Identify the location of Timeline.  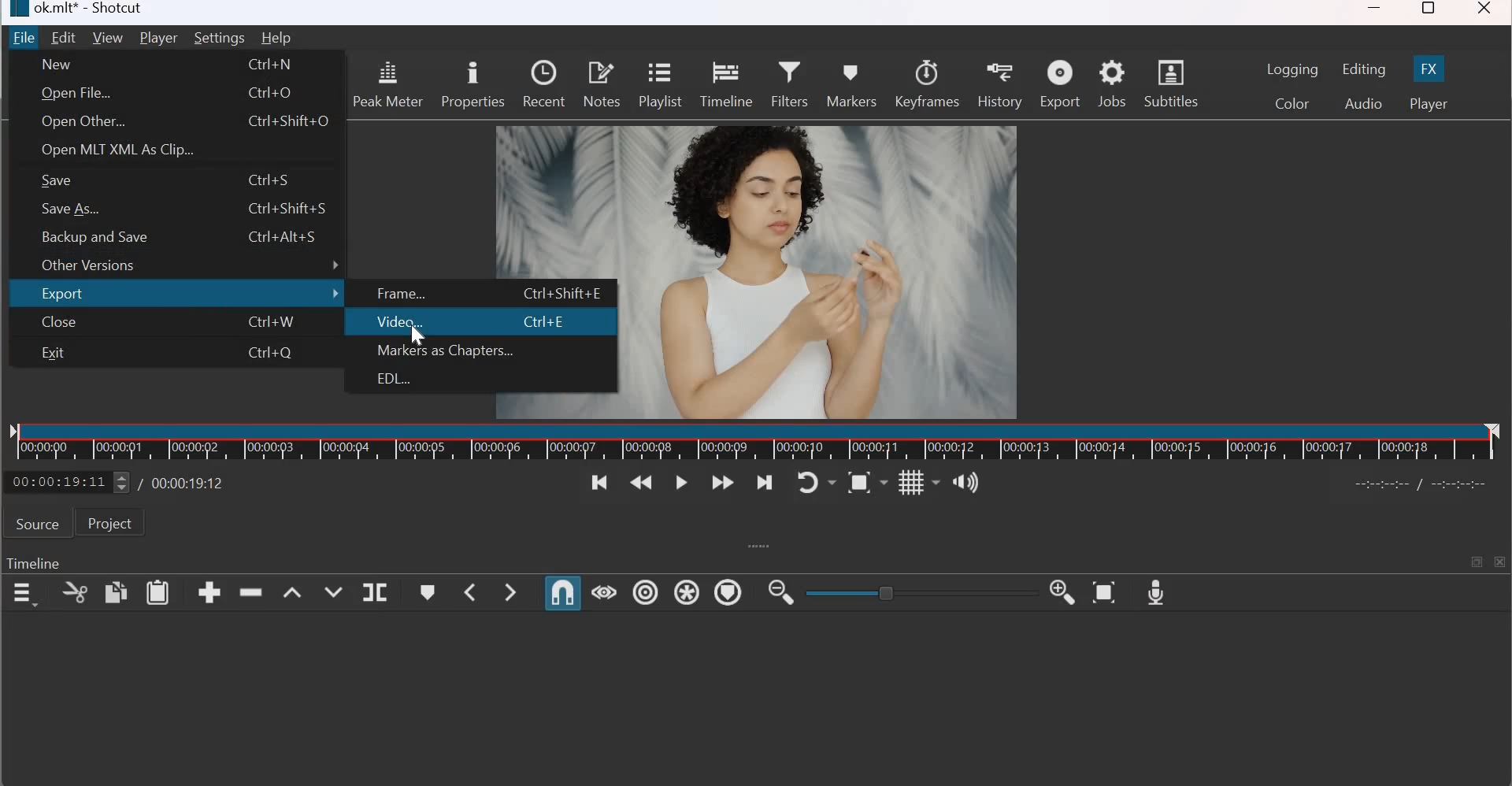
(728, 83).